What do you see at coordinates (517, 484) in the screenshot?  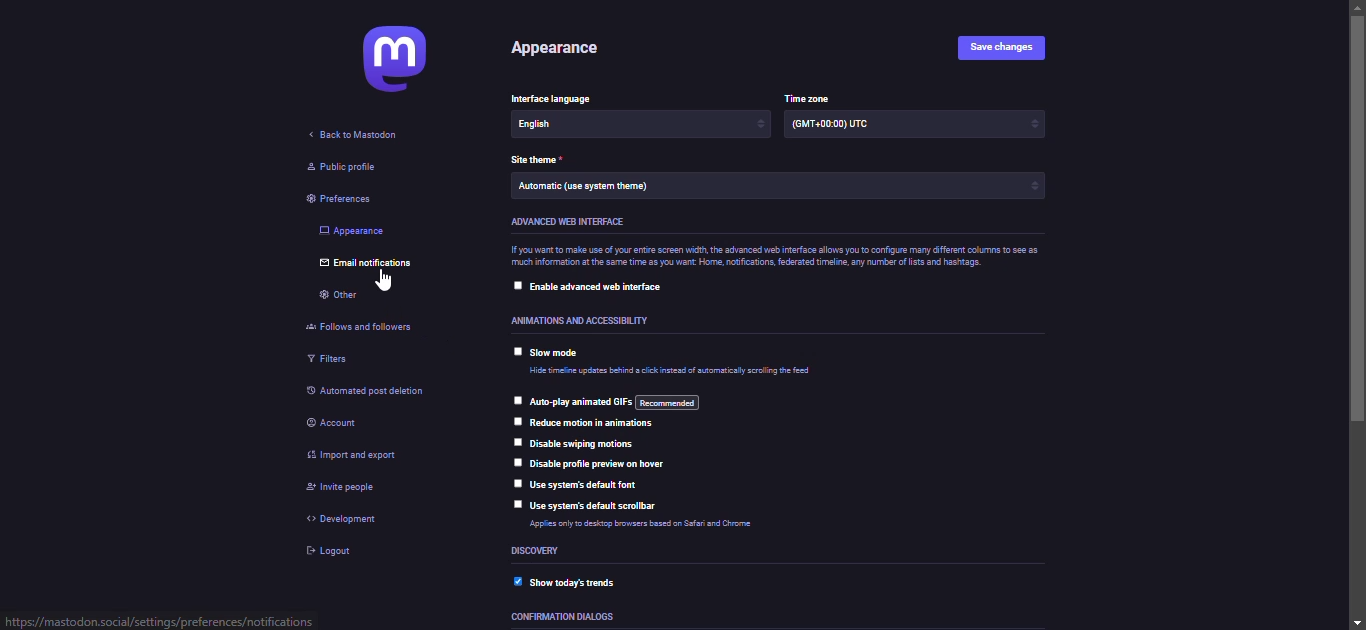 I see `click to select` at bounding box center [517, 484].